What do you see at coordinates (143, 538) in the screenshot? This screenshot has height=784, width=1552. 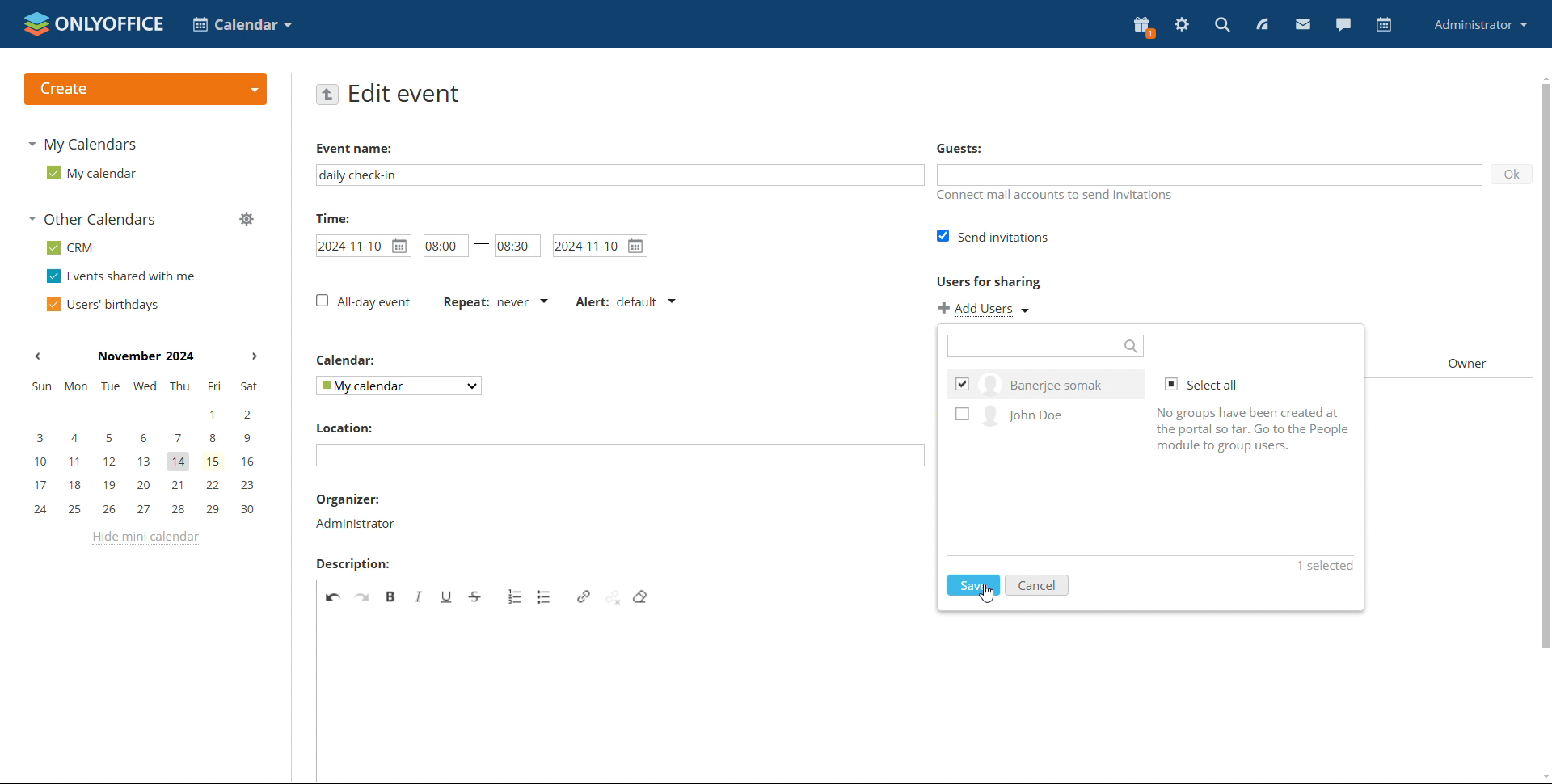 I see `hide mini calendar` at bounding box center [143, 538].